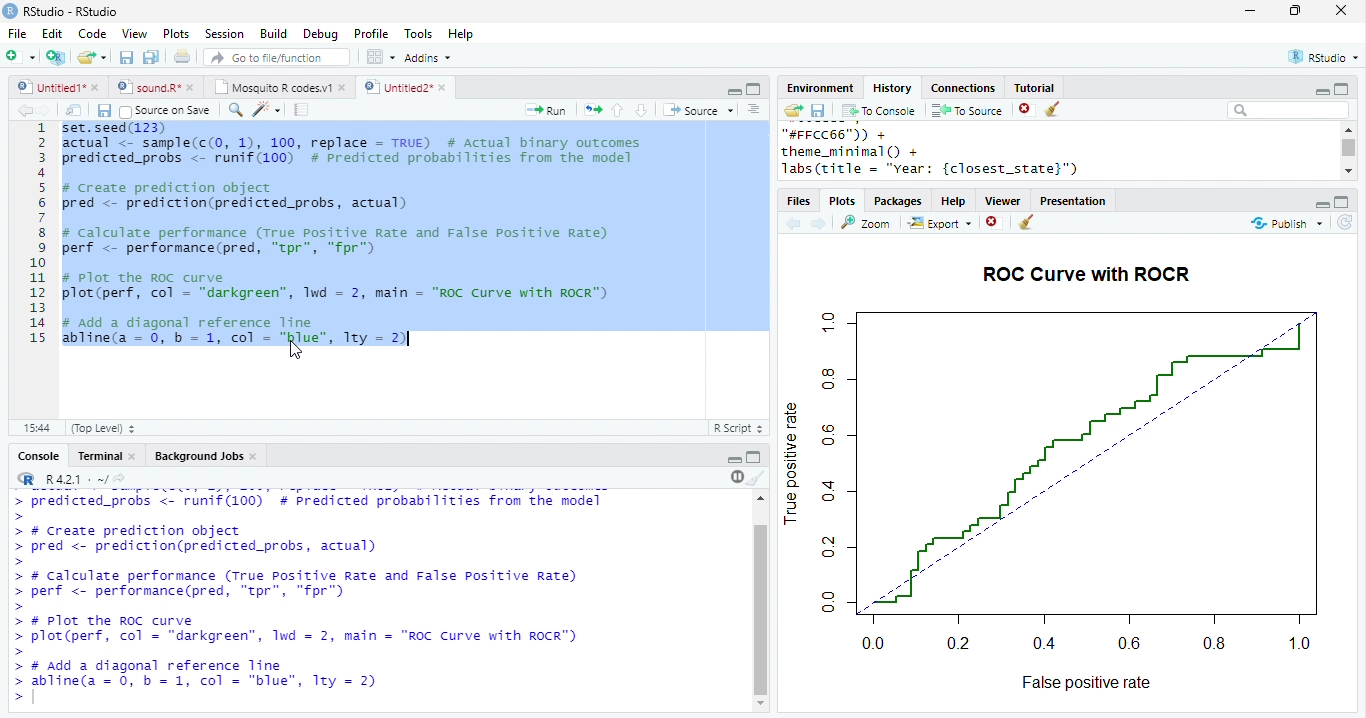 Image resolution: width=1366 pixels, height=718 pixels. I want to click on close, so click(134, 457).